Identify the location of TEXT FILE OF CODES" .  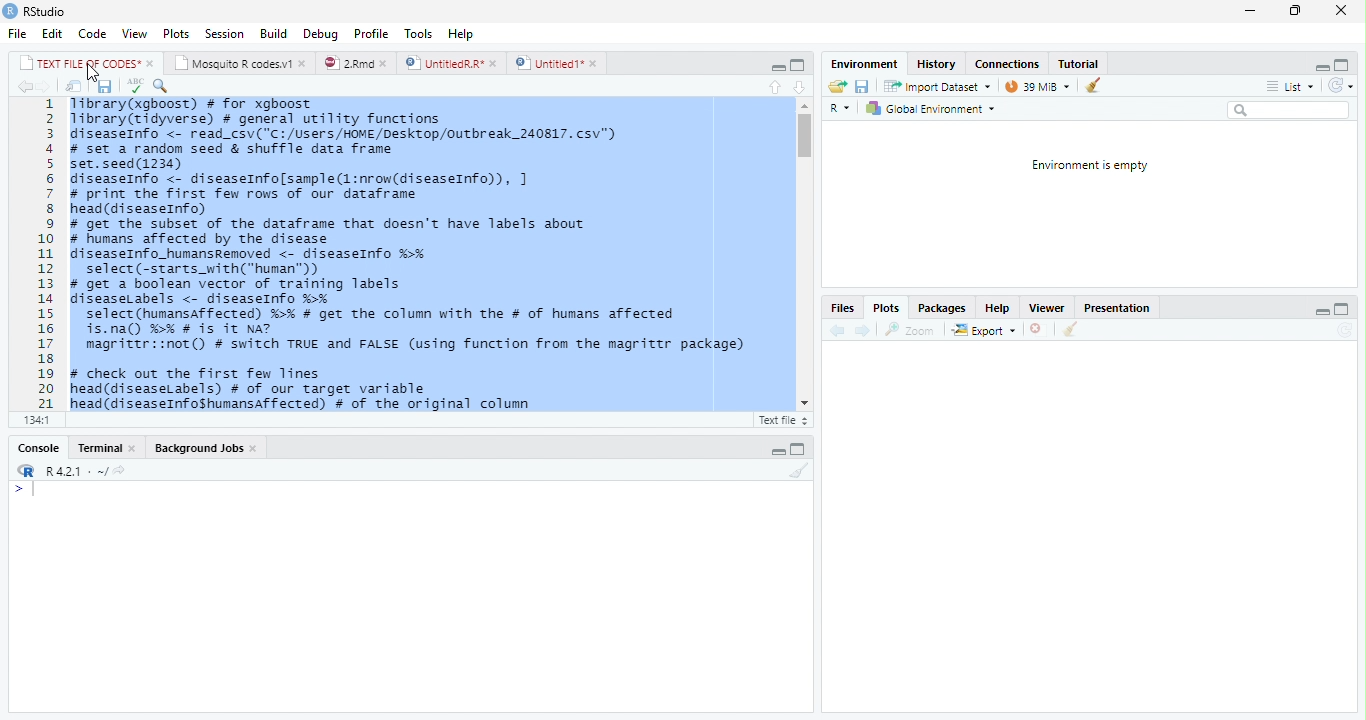
(86, 63).